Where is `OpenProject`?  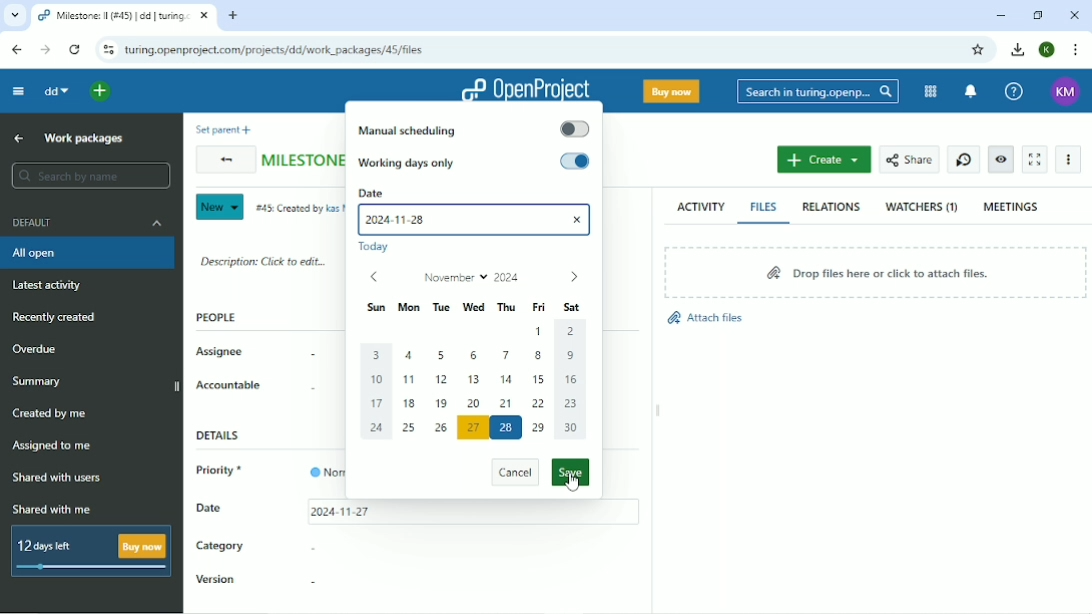
OpenProject is located at coordinates (524, 85).